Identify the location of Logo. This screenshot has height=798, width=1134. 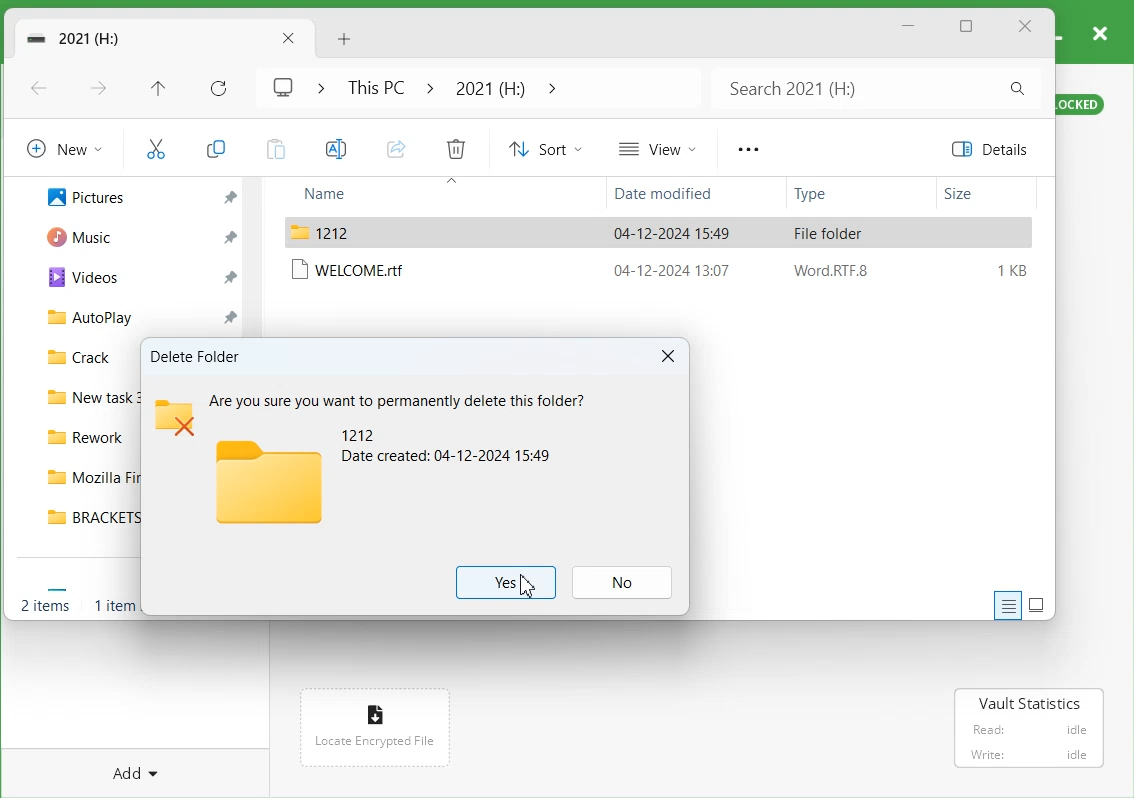
(282, 88).